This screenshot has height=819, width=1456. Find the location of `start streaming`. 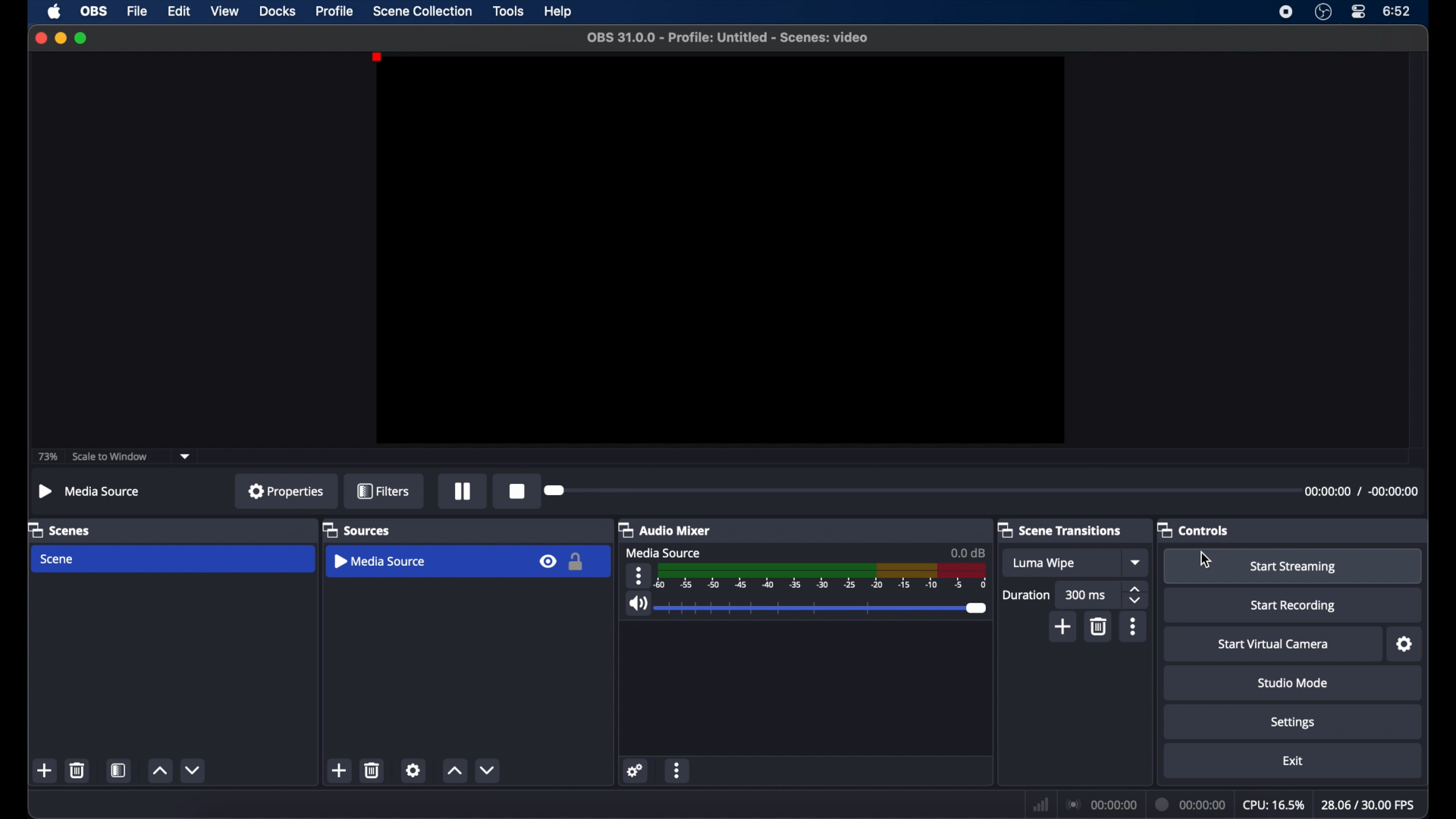

start streaming is located at coordinates (1295, 566).